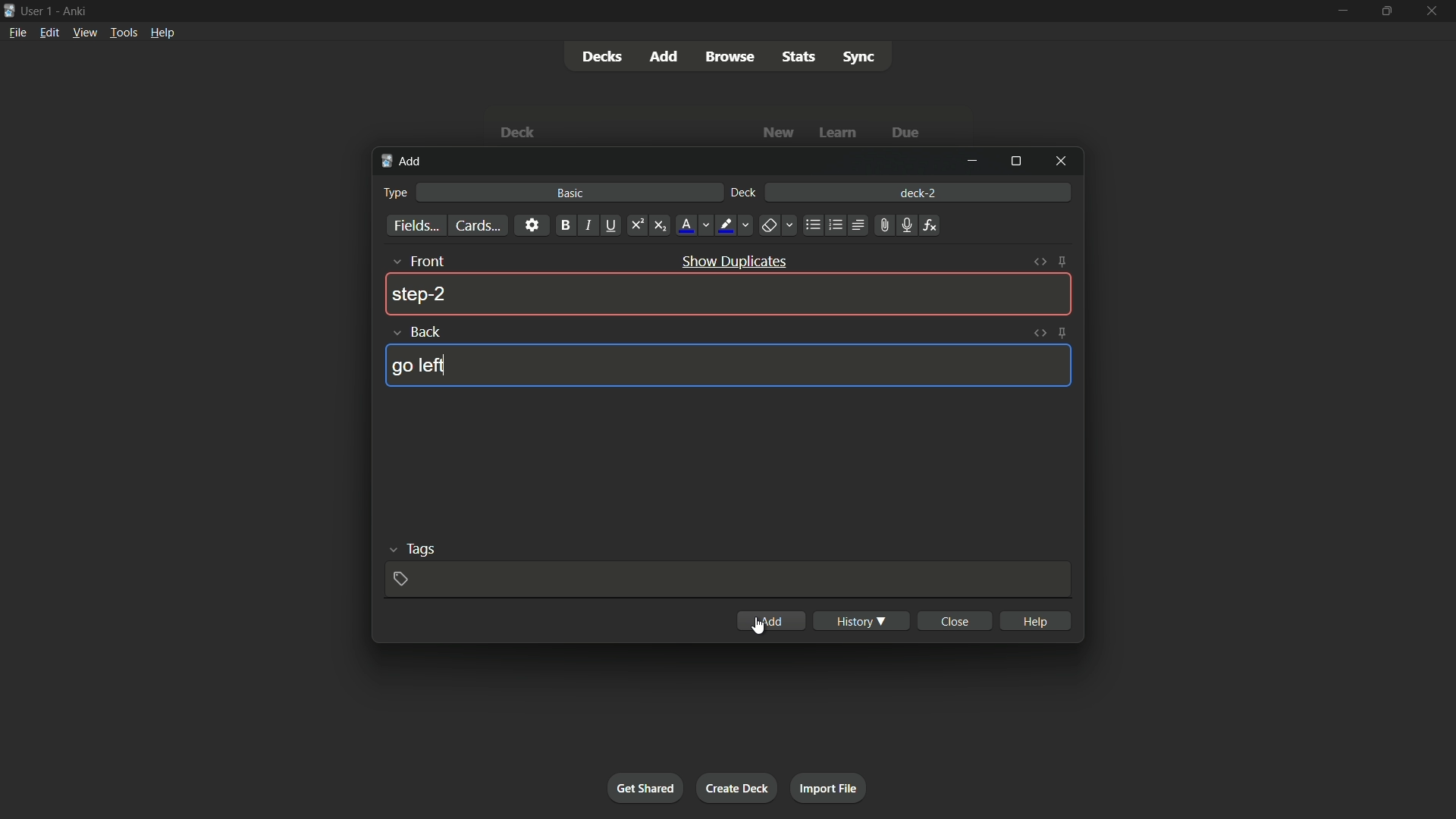  What do you see at coordinates (1345, 10) in the screenshot?
I see `minimize` at bounding box center [1345, 10].